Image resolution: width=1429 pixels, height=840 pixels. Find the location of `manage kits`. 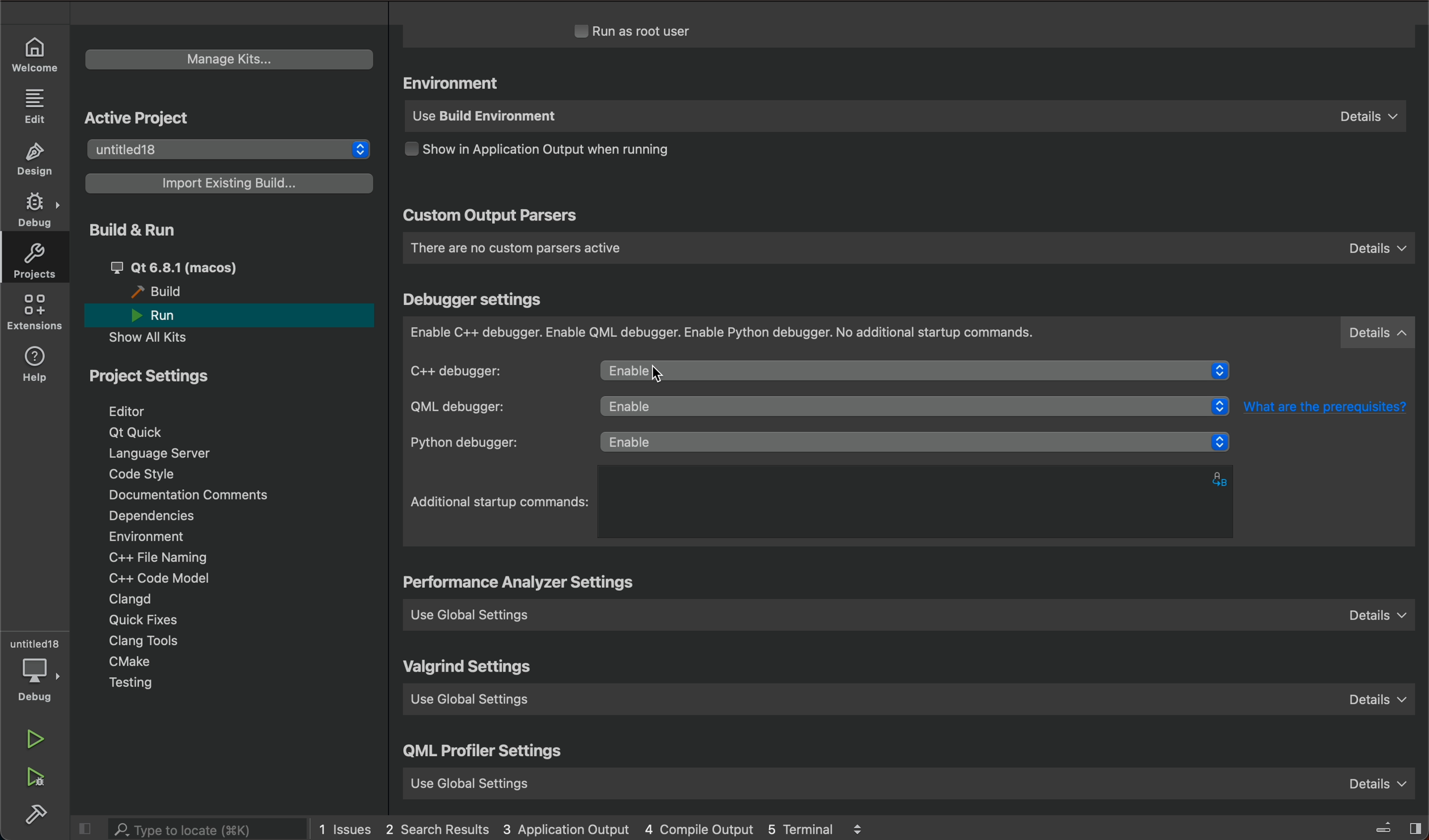

manage kits is located at coordinates (225, 57).